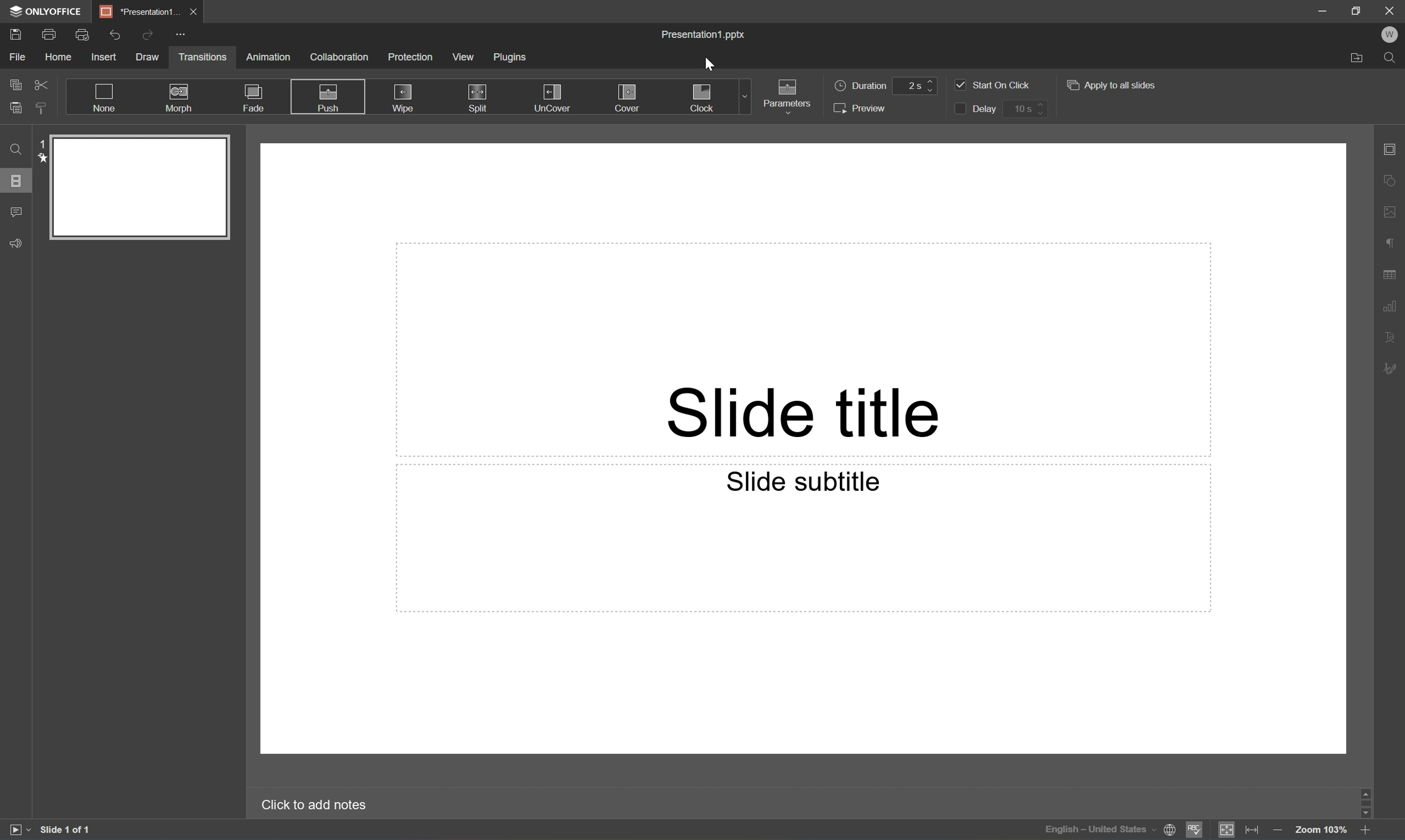 This screenshot has width=1405, height=840. Describe the element at coordinates (1096, 830) in the screenshot. I see `` at that location.